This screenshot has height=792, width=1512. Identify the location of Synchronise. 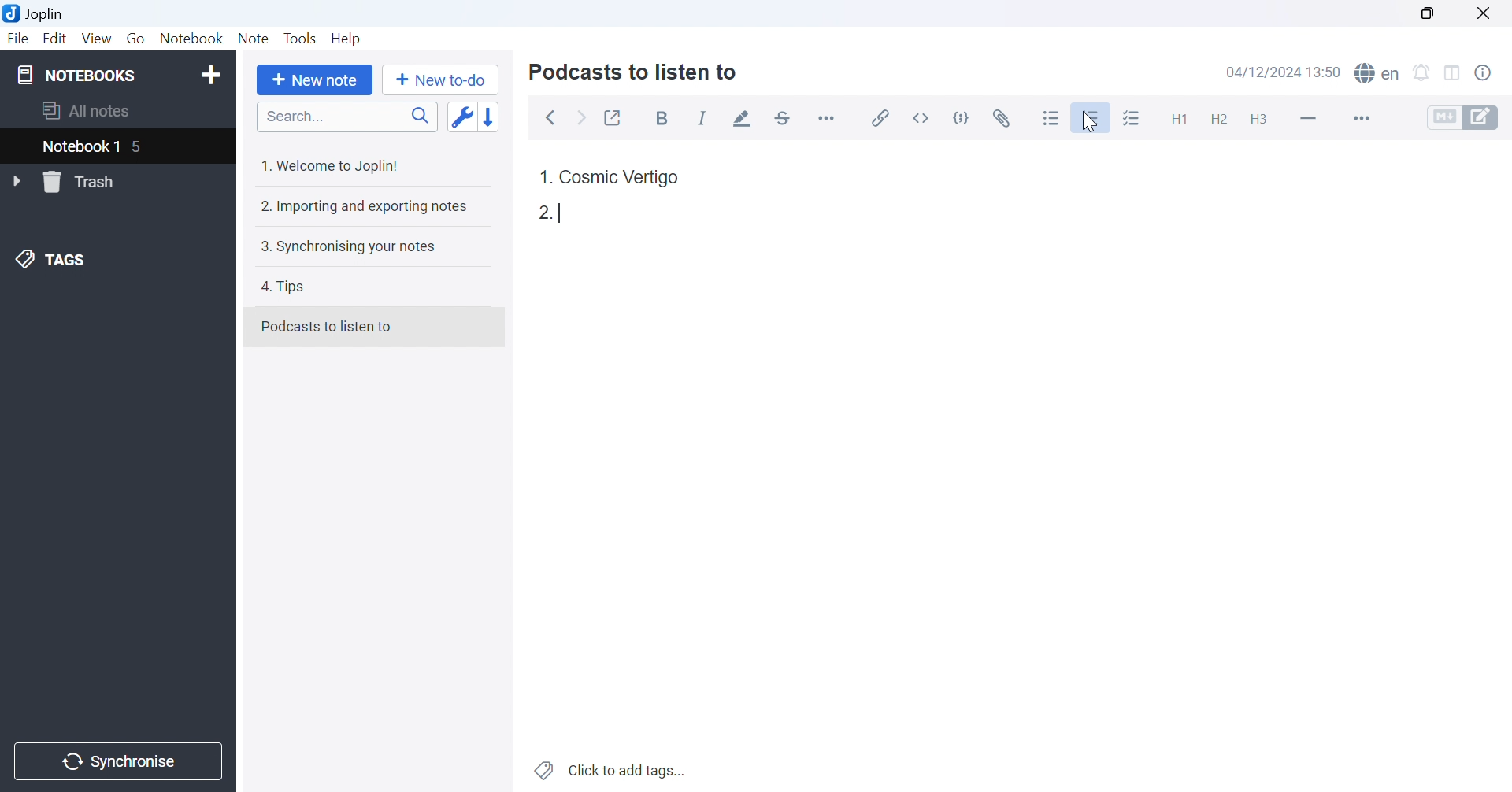
(120, 762).